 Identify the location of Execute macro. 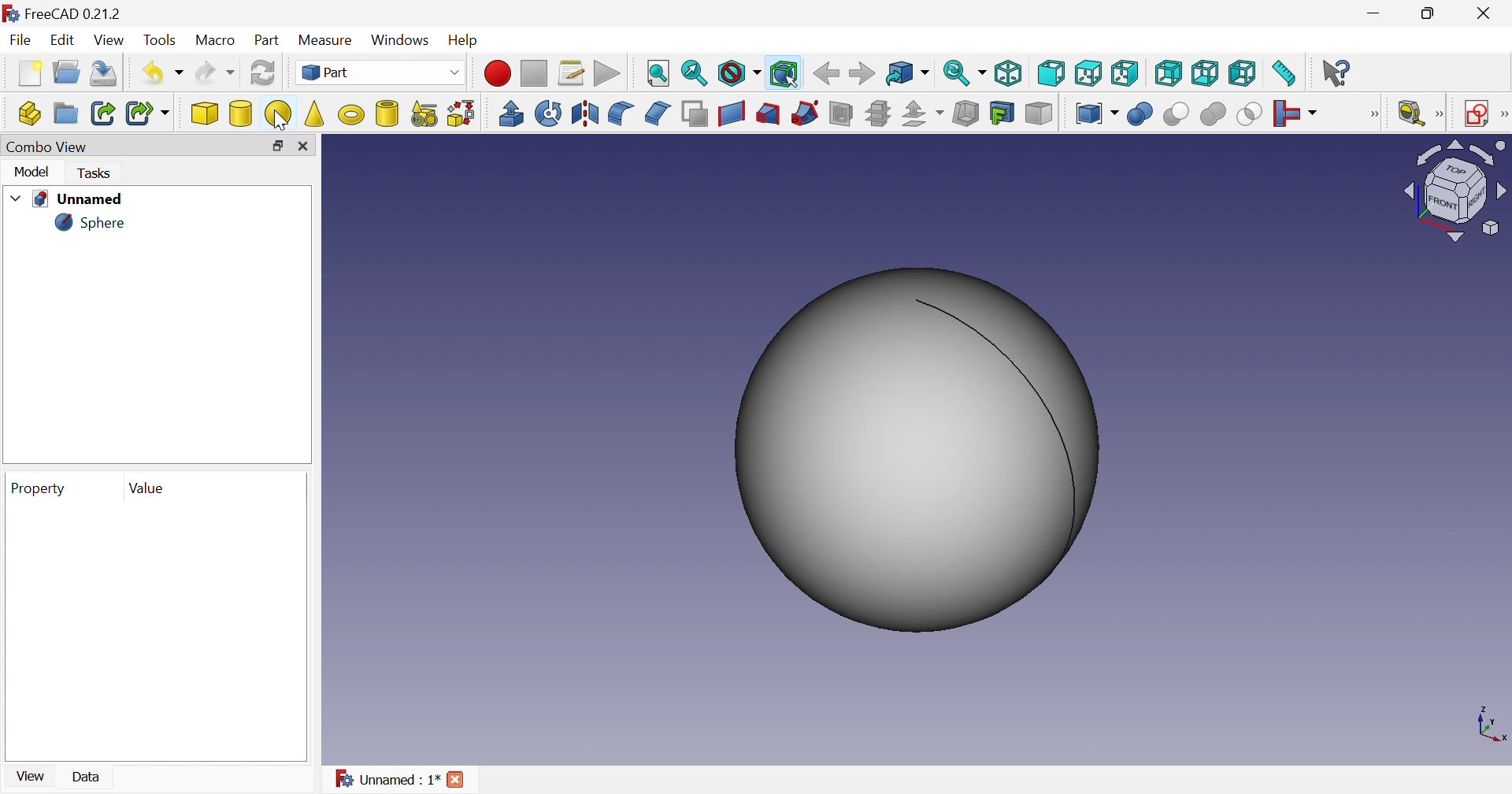
(609, 73).